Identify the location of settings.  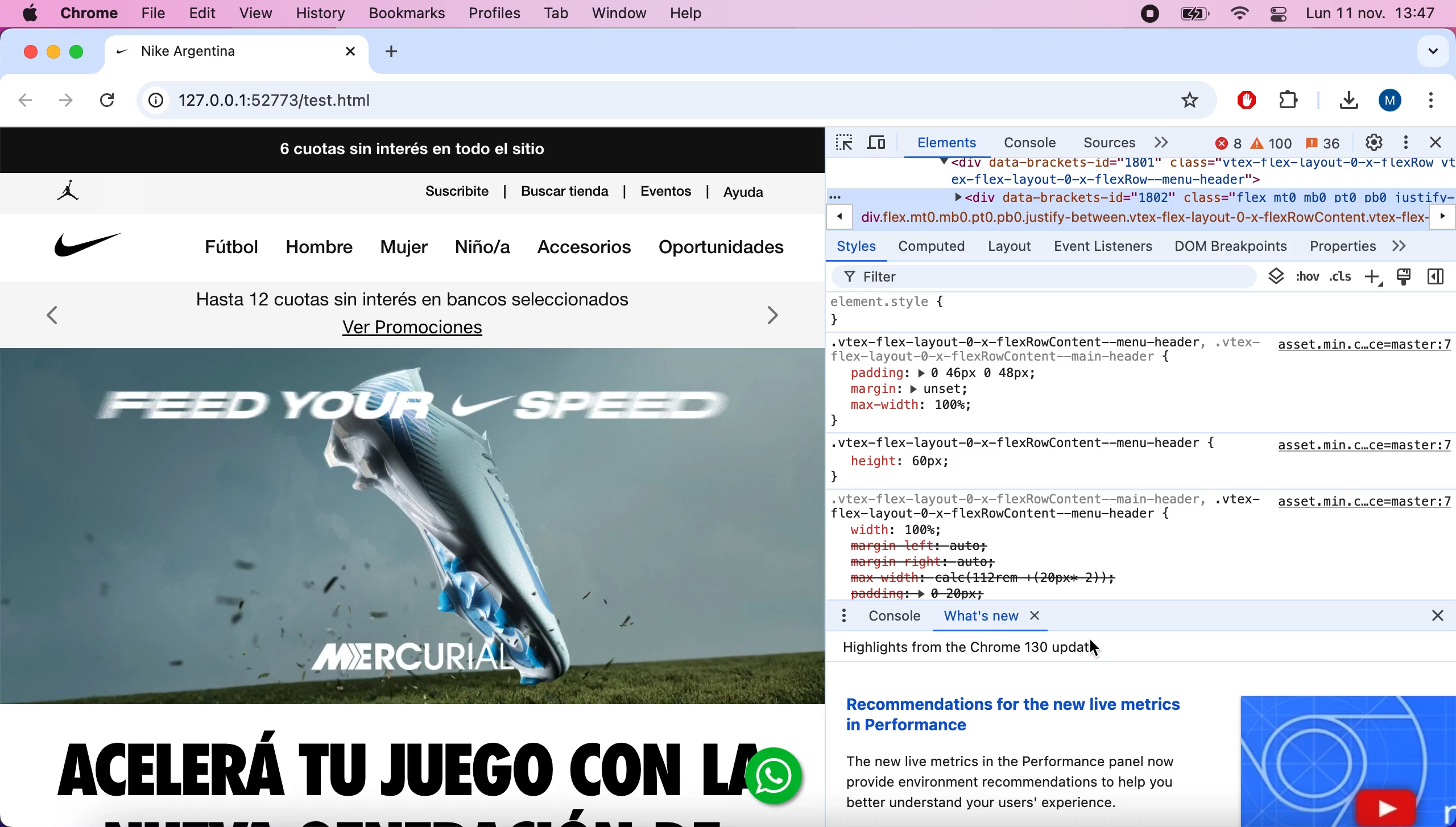
(1372, 141).